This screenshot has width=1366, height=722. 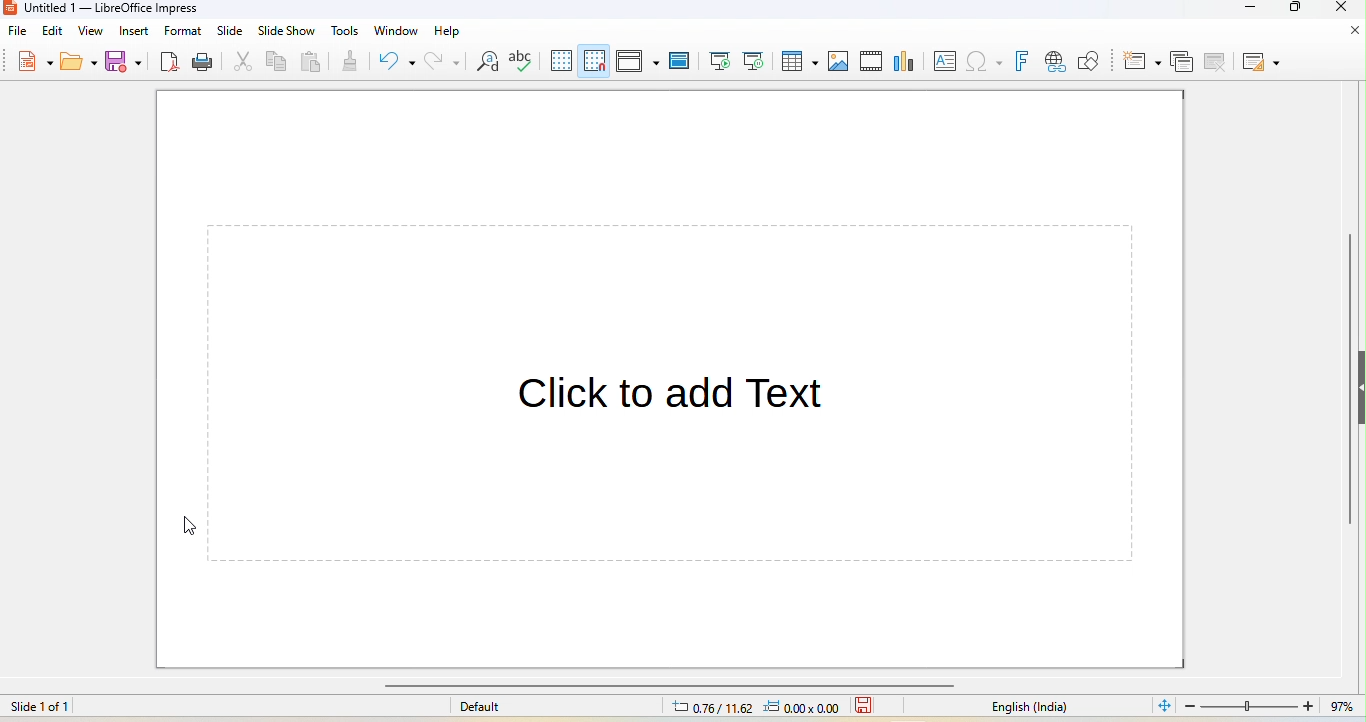 What do you see at coordinates (53, 30) in the screenshot?
I see `edit` at bounding box center [53, 30].